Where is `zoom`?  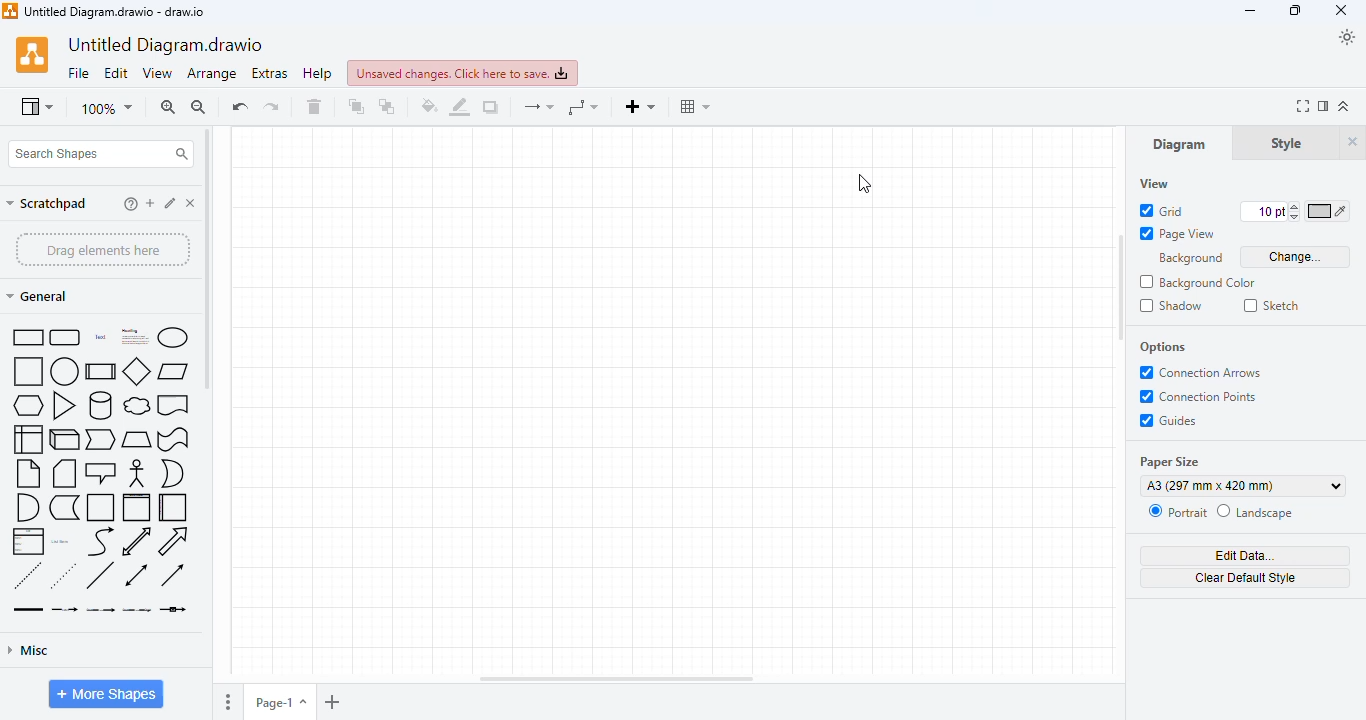 zoom is located at coordinates (107, 110).